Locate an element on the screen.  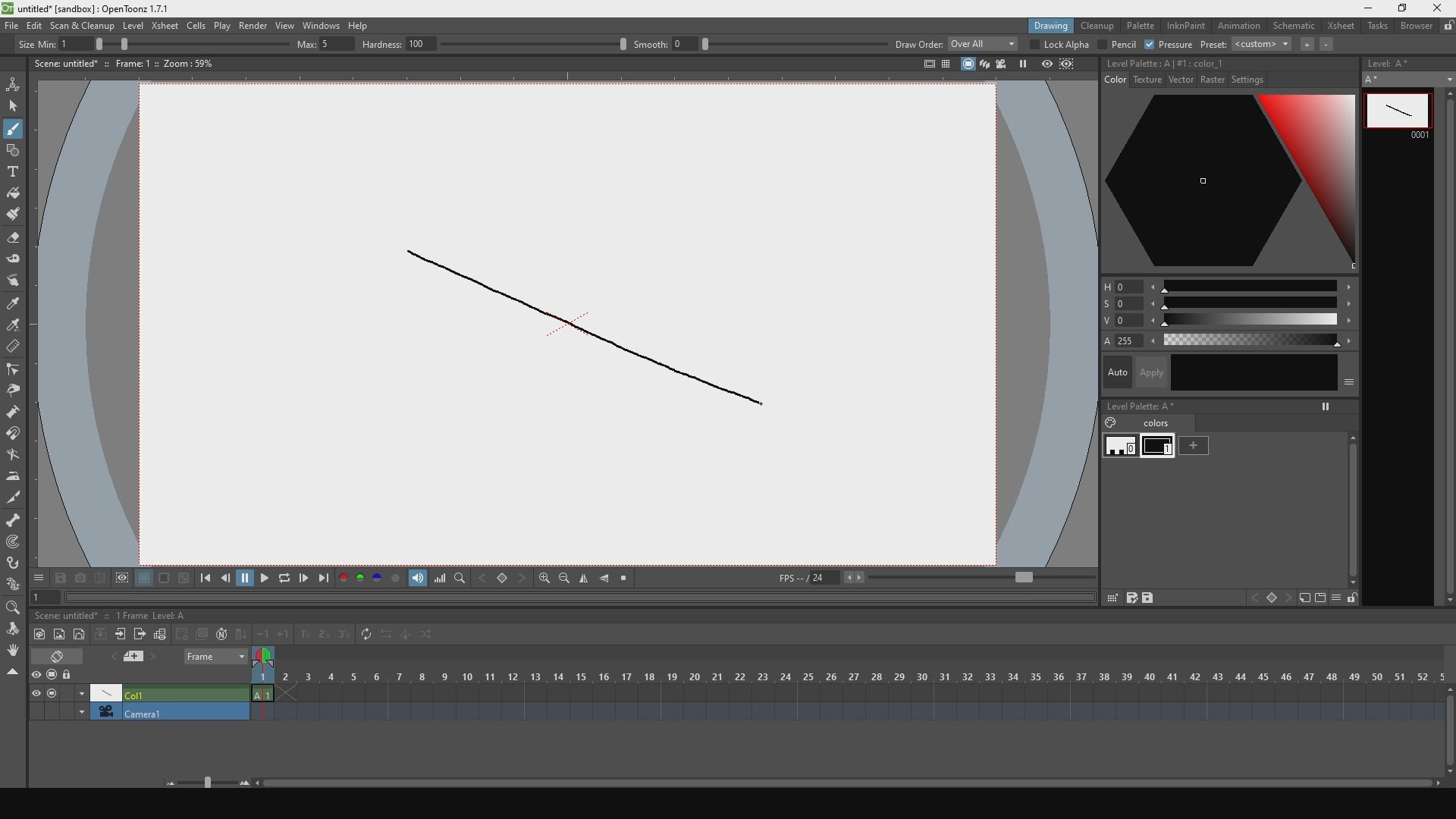
colors is located at coordinates (1152, 424).